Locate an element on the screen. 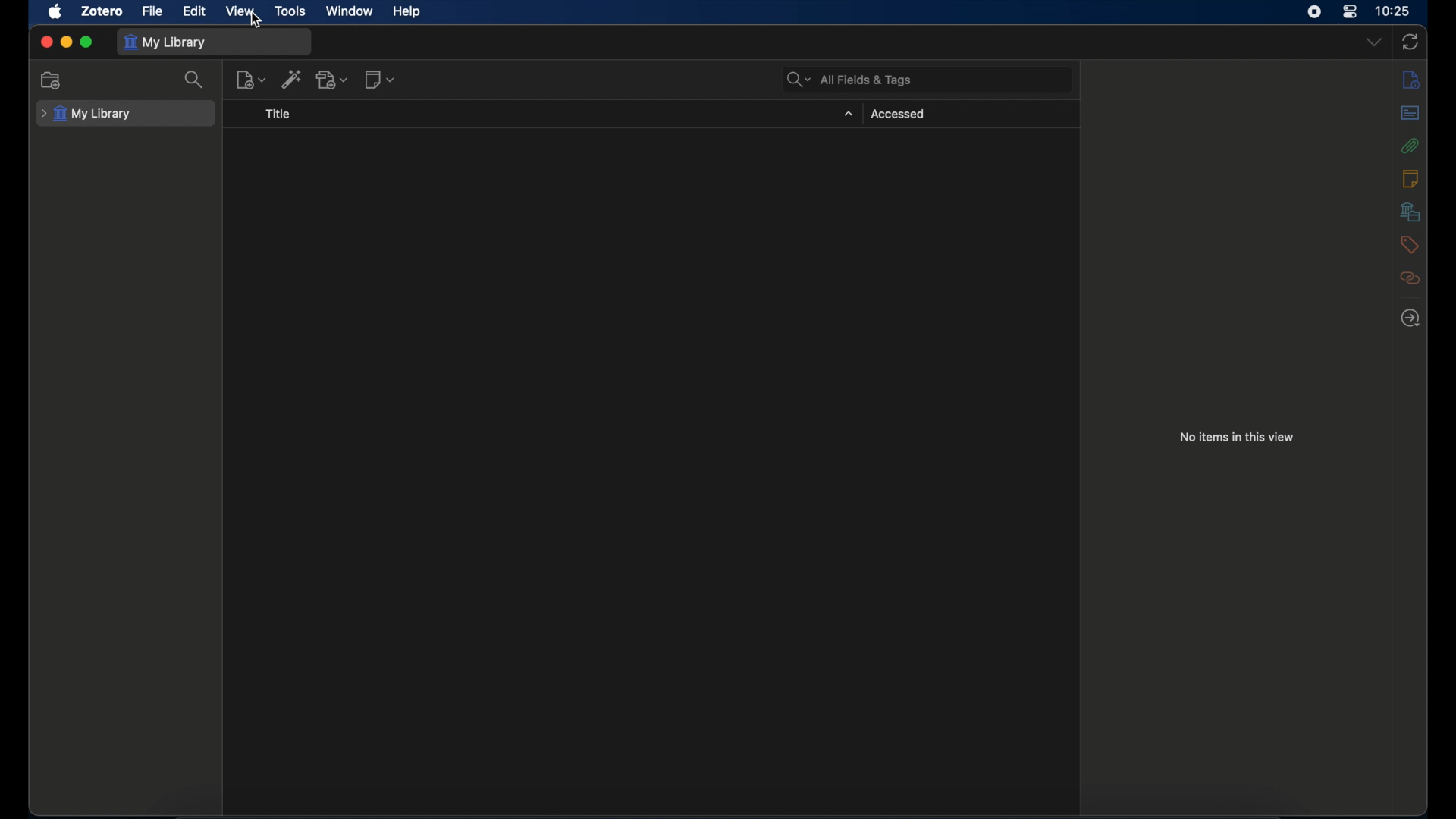 Image resolution: width=1456 pixels, height=819 pixels. add item by identifier is located at coordinates (292, 79).